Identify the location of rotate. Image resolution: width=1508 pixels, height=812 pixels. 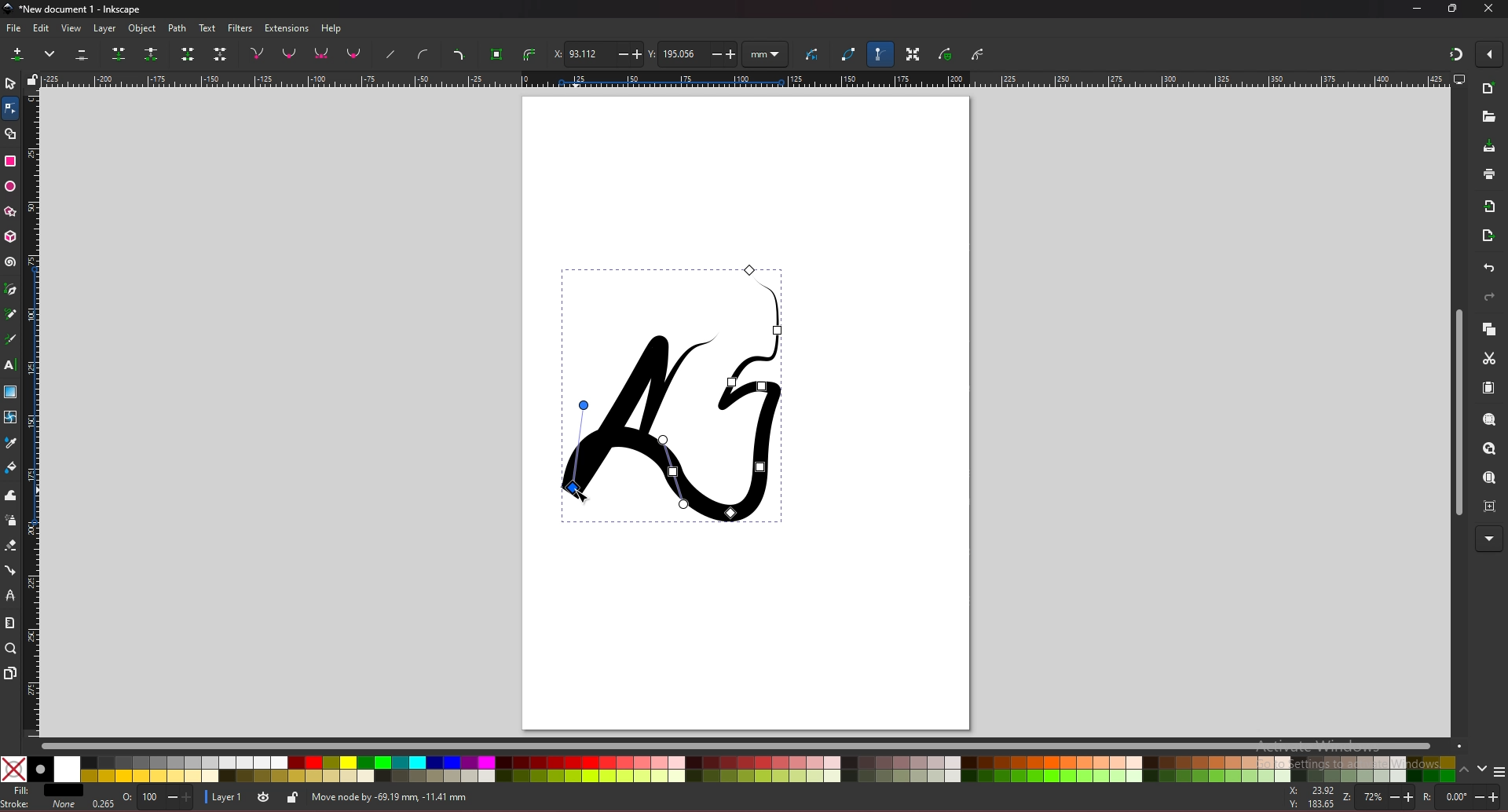
(1461, 796).